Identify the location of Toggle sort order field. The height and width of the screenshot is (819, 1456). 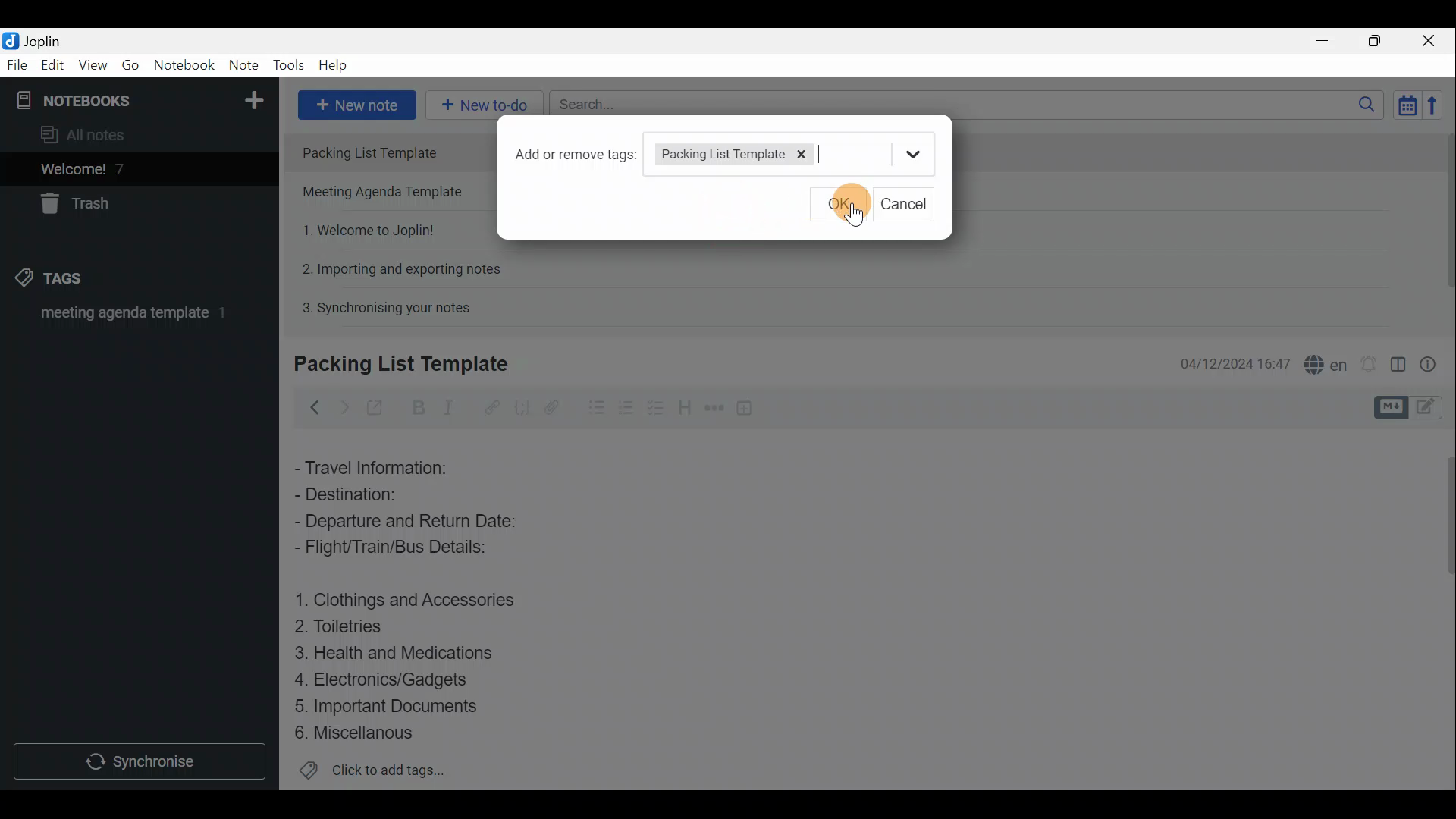
(1402, 105).